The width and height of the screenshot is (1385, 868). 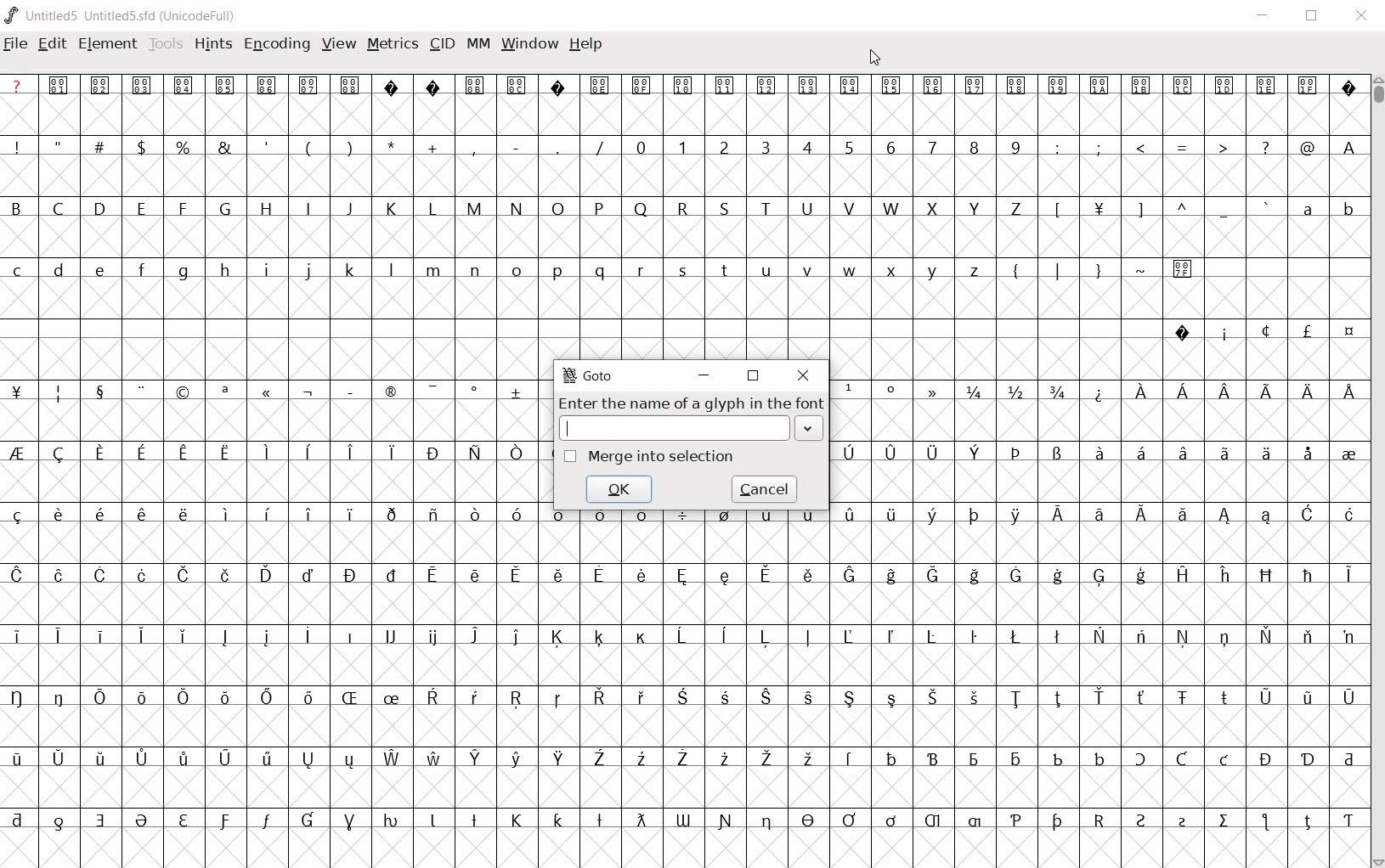 I want to click on Symbol, so click(x=1181, y=759).